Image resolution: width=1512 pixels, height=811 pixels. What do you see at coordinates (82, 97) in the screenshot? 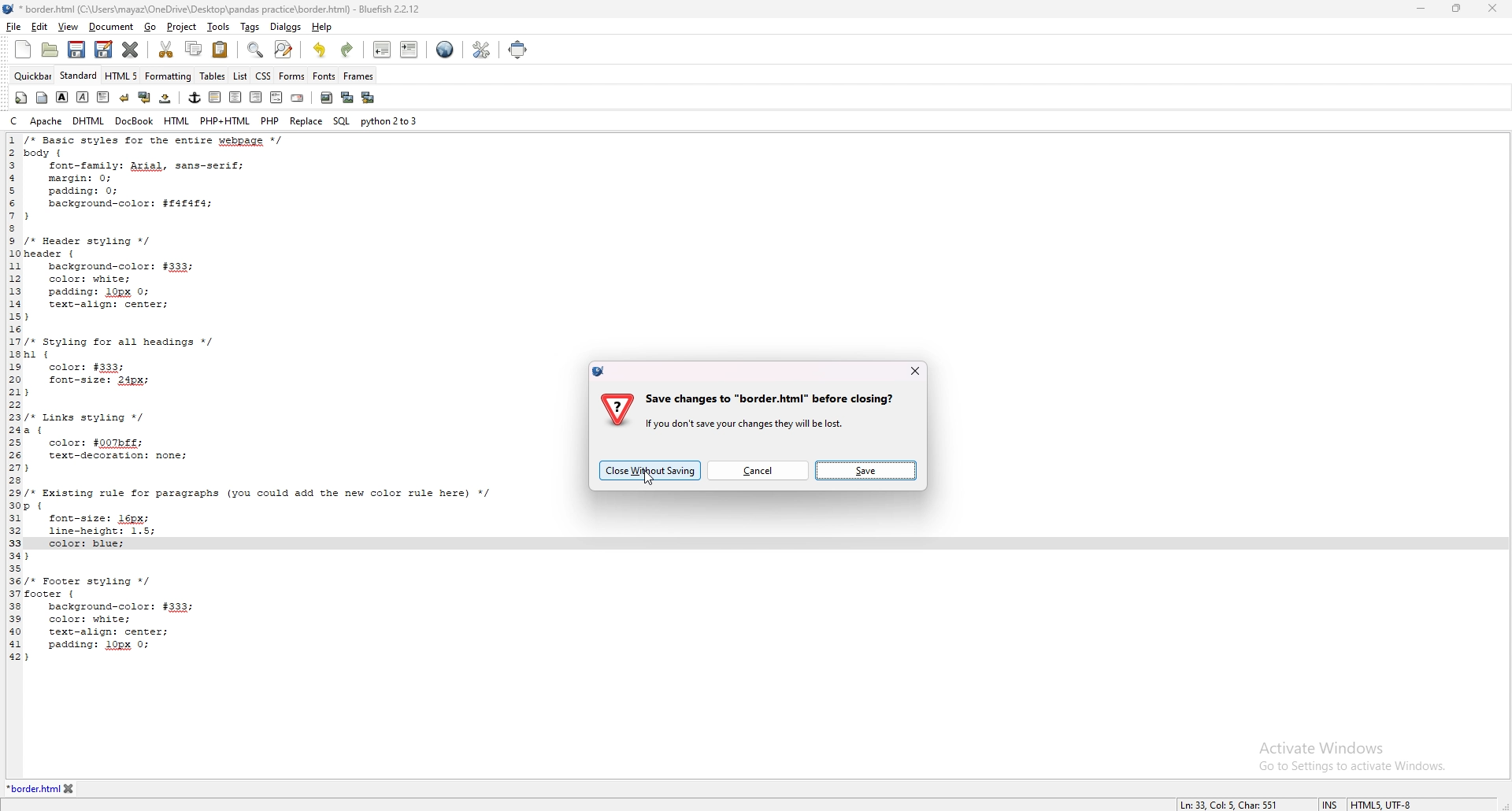
I see `italic` at bounding box center [82, 97].